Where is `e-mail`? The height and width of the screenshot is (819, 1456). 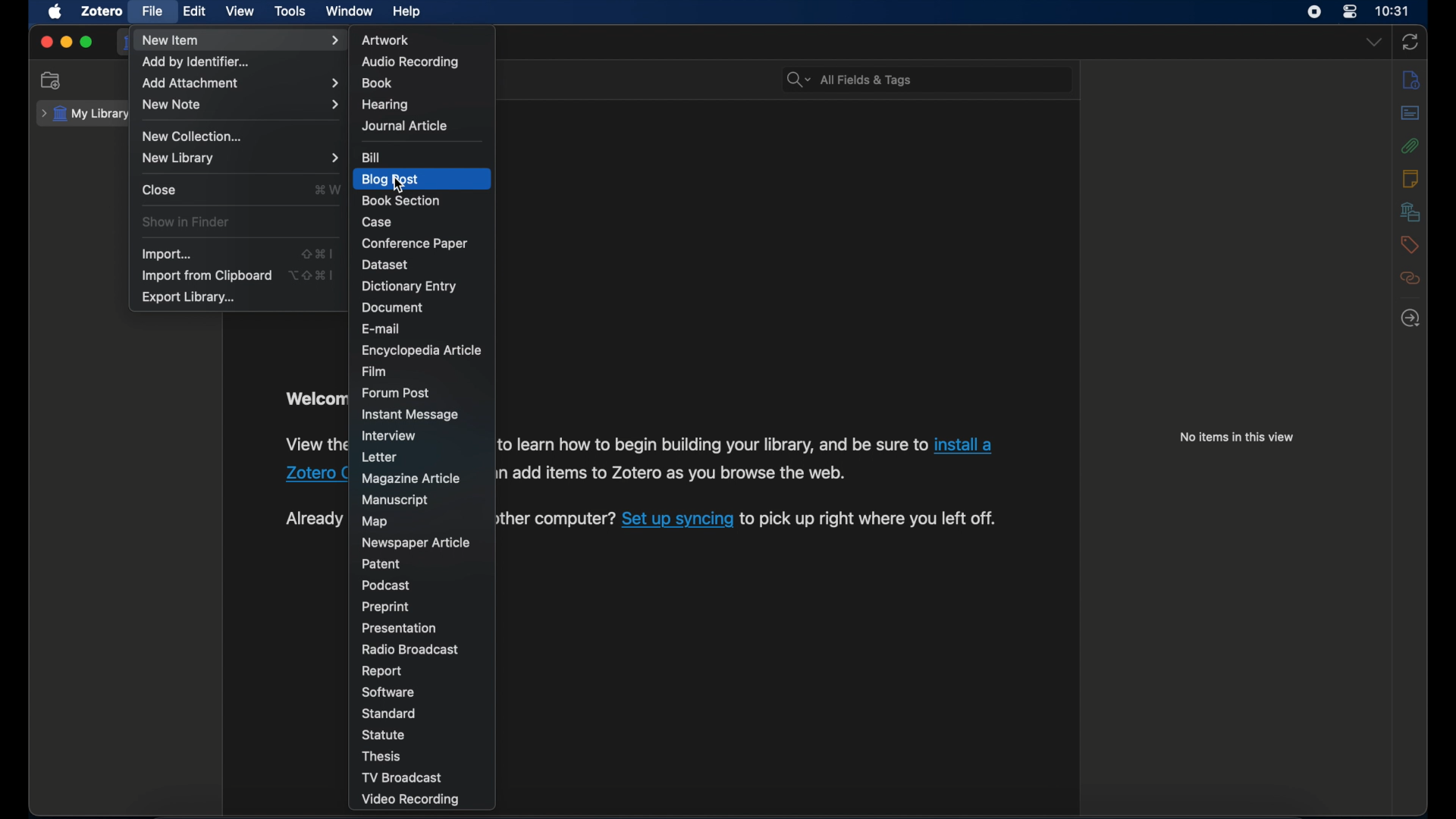
e-mail is located at coordinates (381, 329).